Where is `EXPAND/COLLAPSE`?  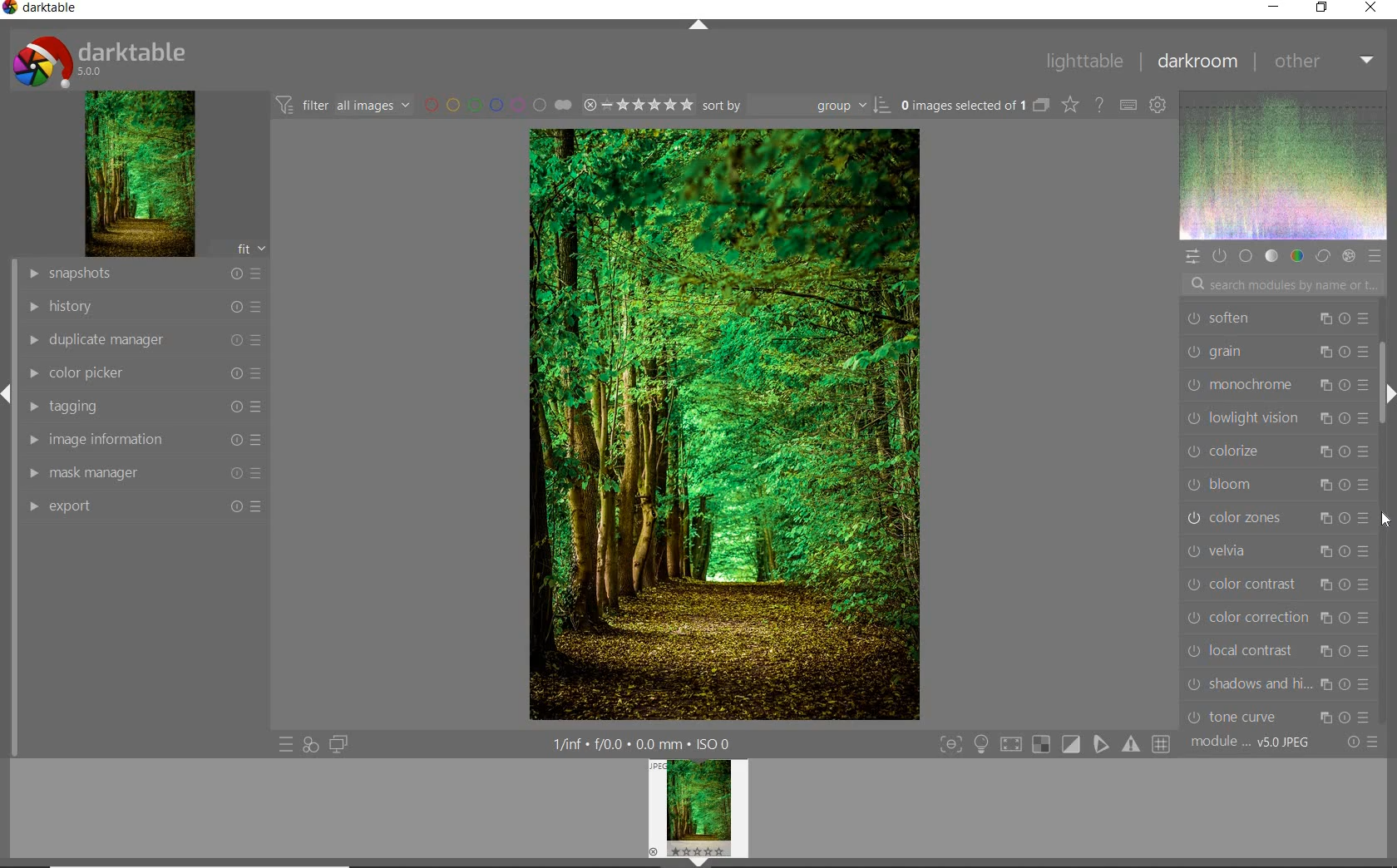
EXPAND/COLLAPSE is located at coordinates (697, 24).